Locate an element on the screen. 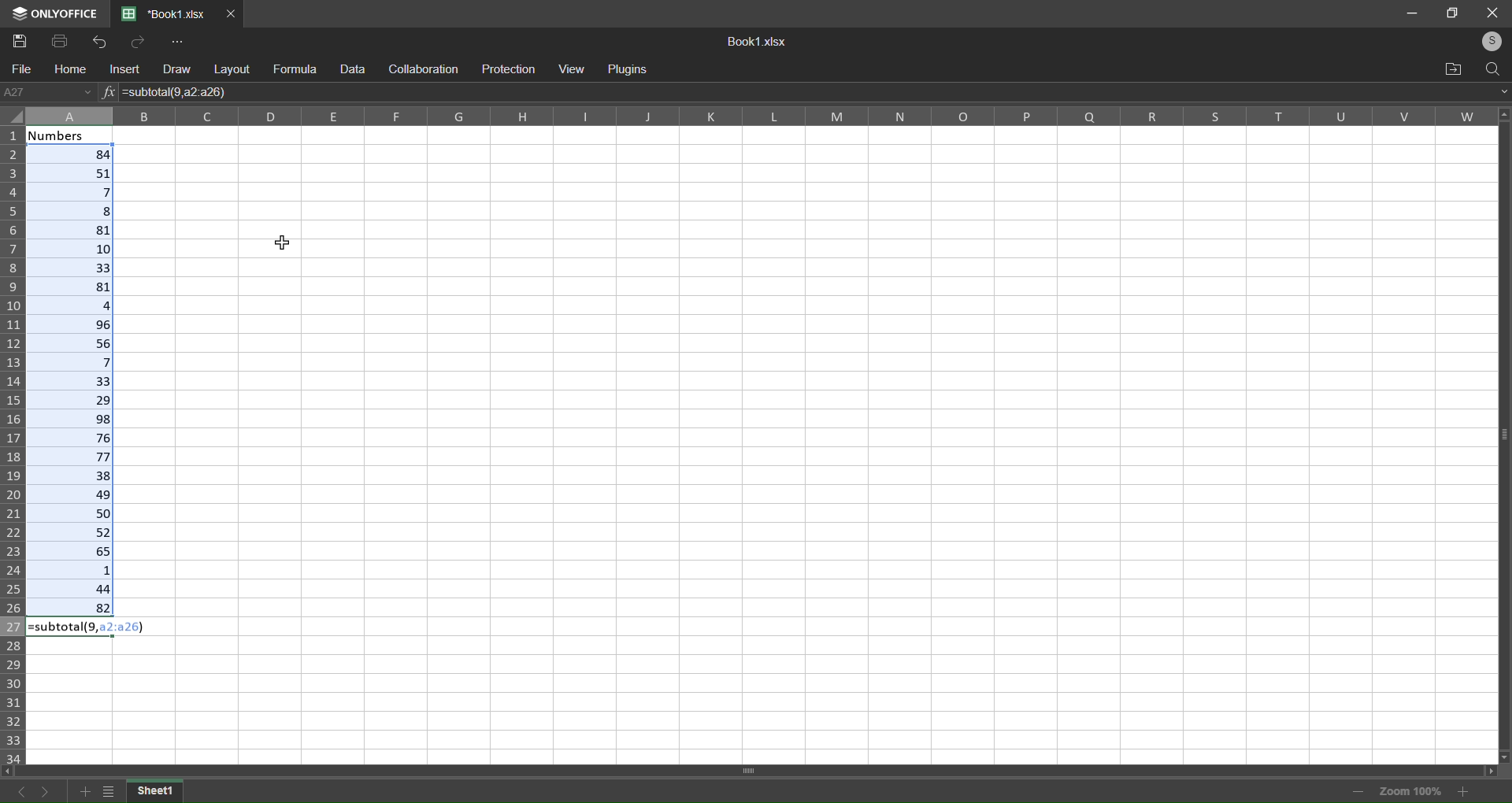 The height and width of the screenshot is (803, 1512). Book1.xslx is located at coordinates (761, 40).